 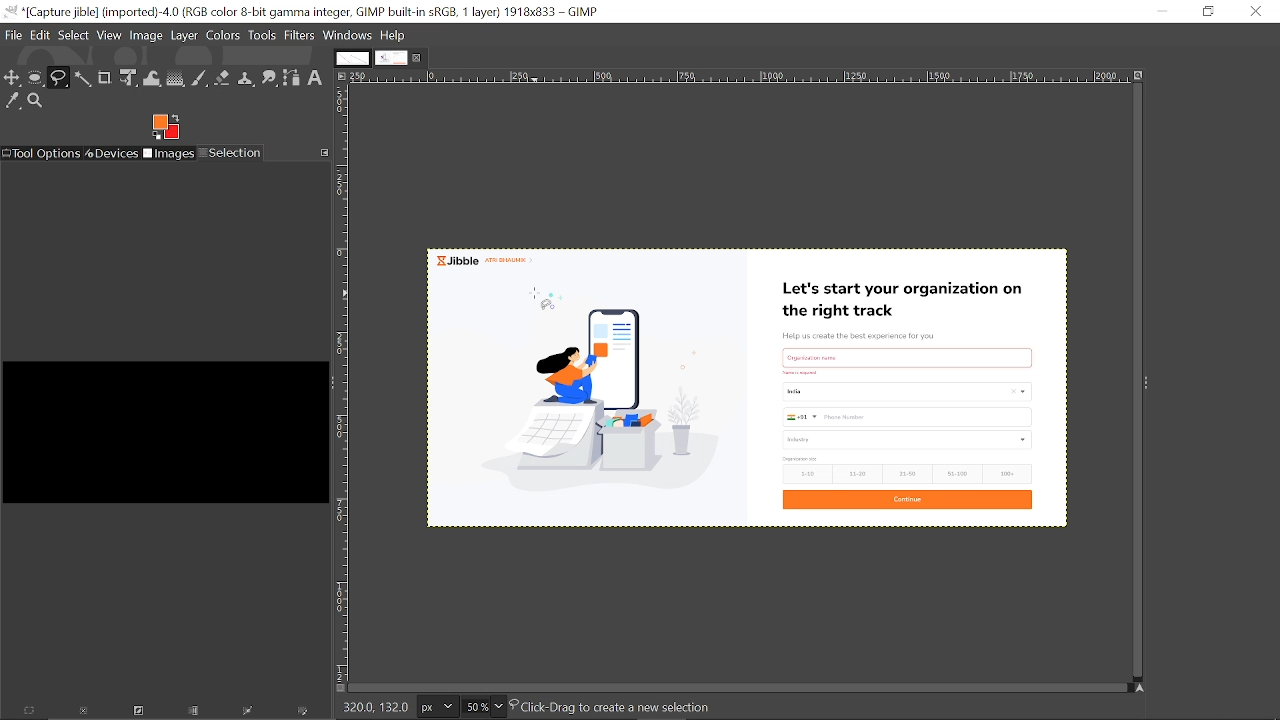 What do you see at coordinates (270, 77) in the screenshot?
I see `Smudge tool` at bounding box center [270, 77].